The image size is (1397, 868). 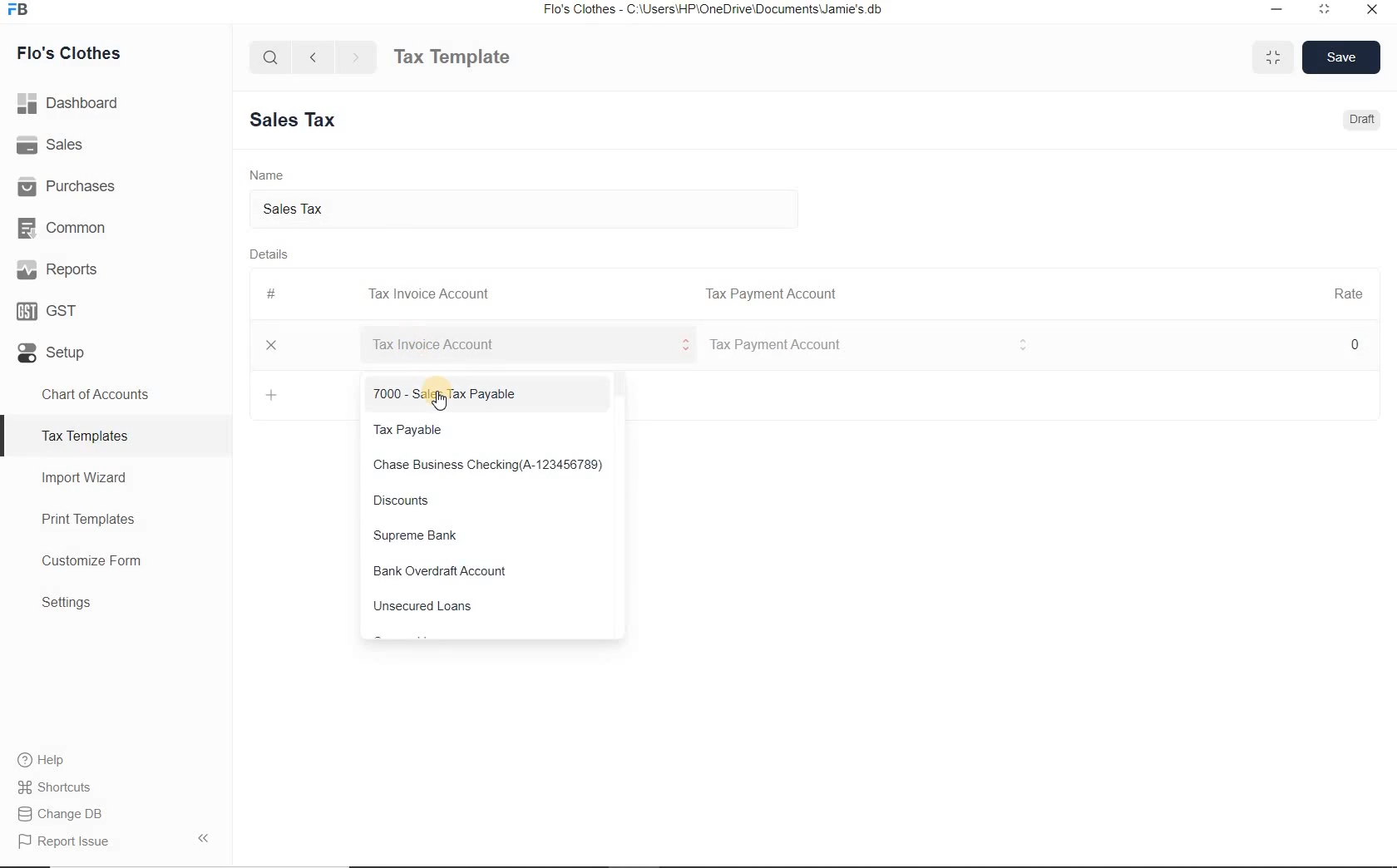 I want to click on Backward, so click(x=313, y=56).